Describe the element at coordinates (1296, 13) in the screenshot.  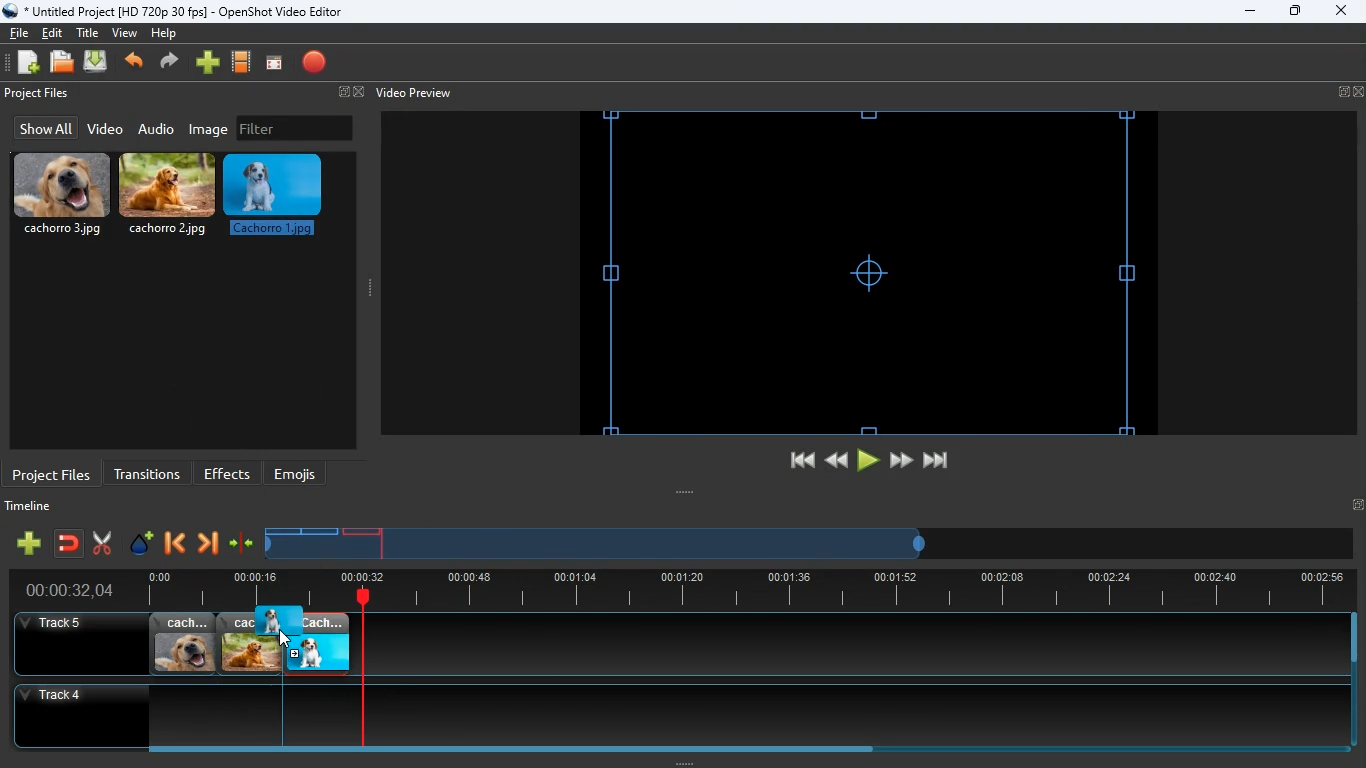
I see `maximize` at that location.